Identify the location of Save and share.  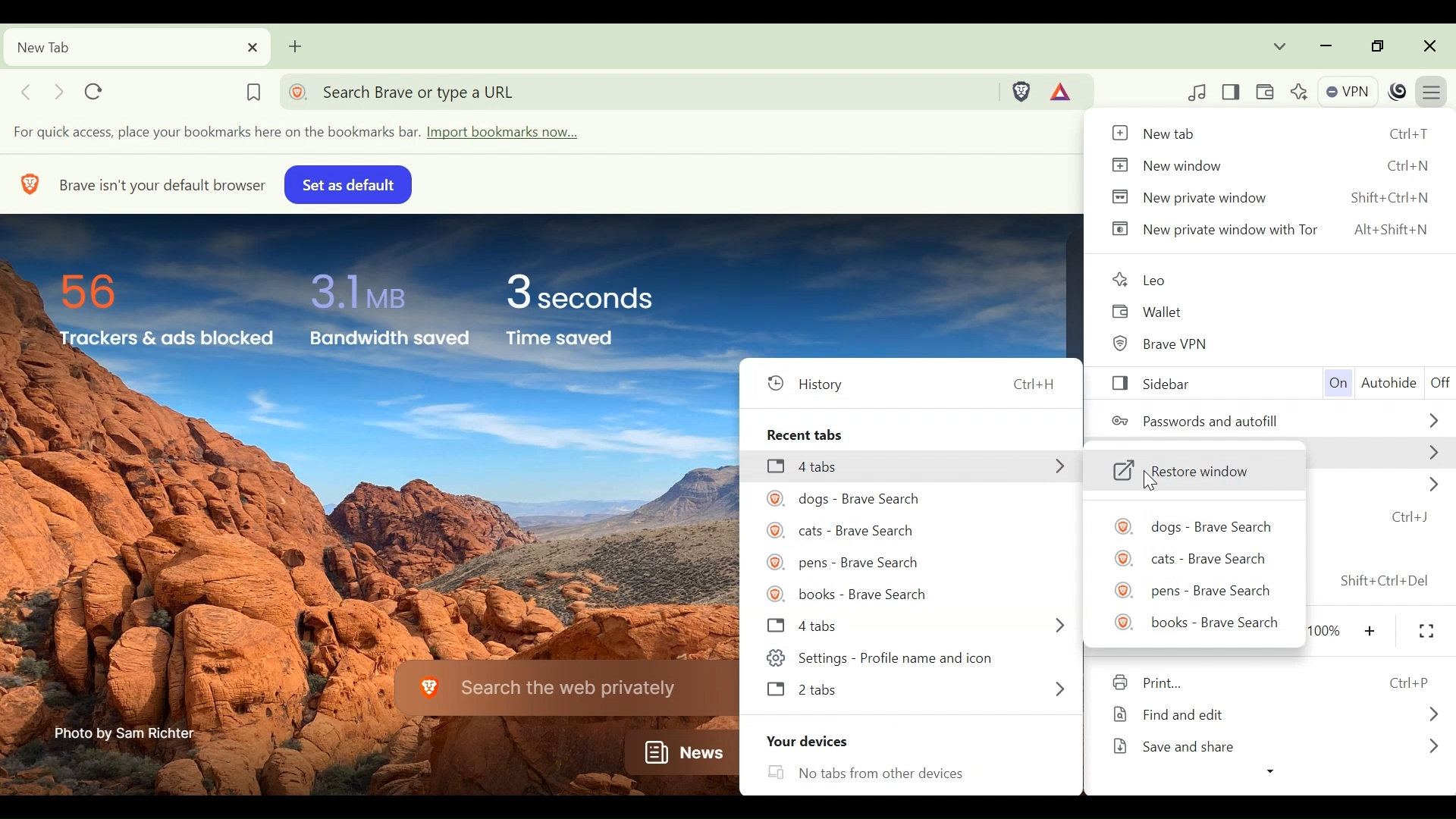
(1194, 744).